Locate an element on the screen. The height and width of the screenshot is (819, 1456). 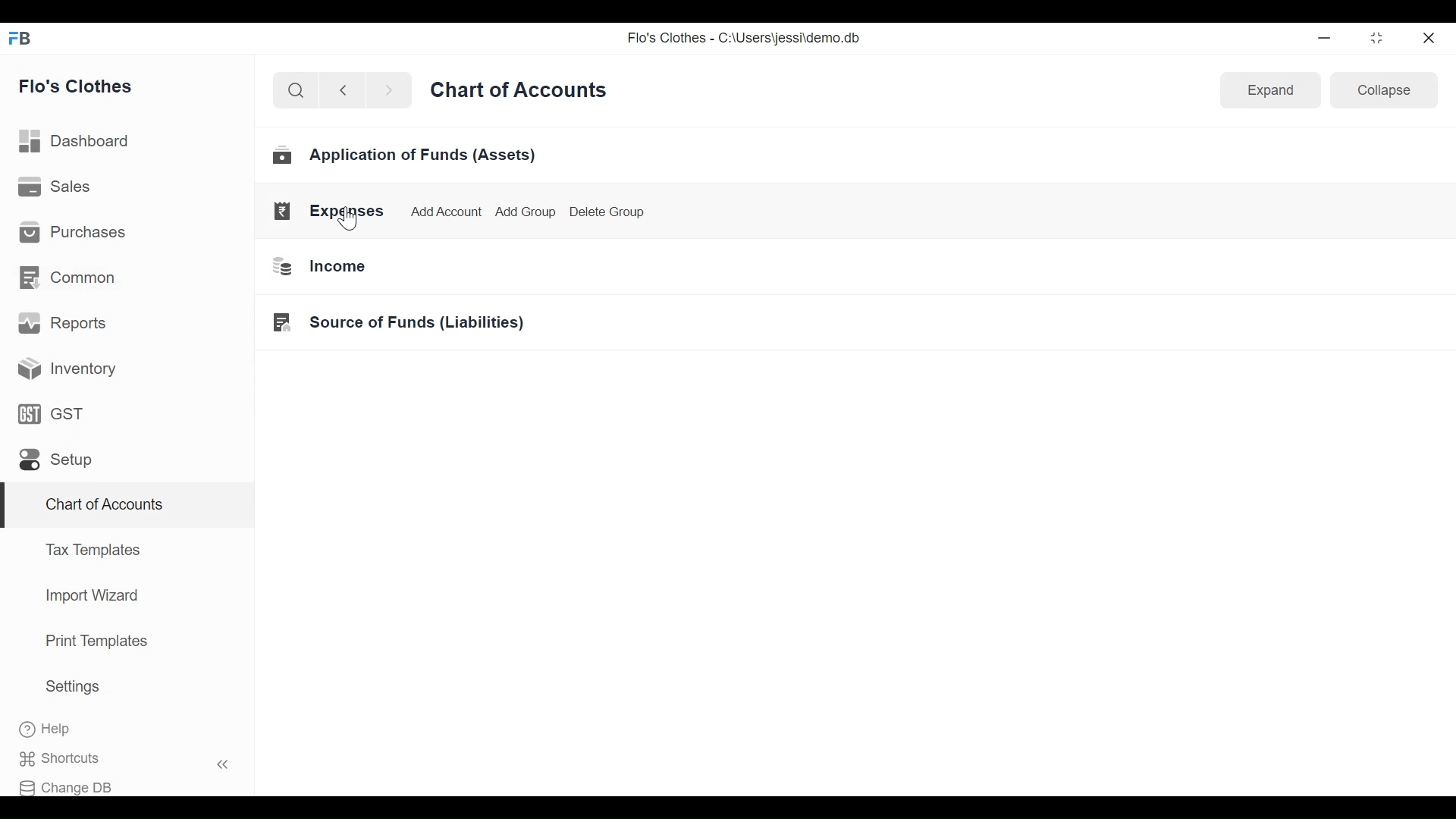
Tax Templates is located at coordinates (92, 549).